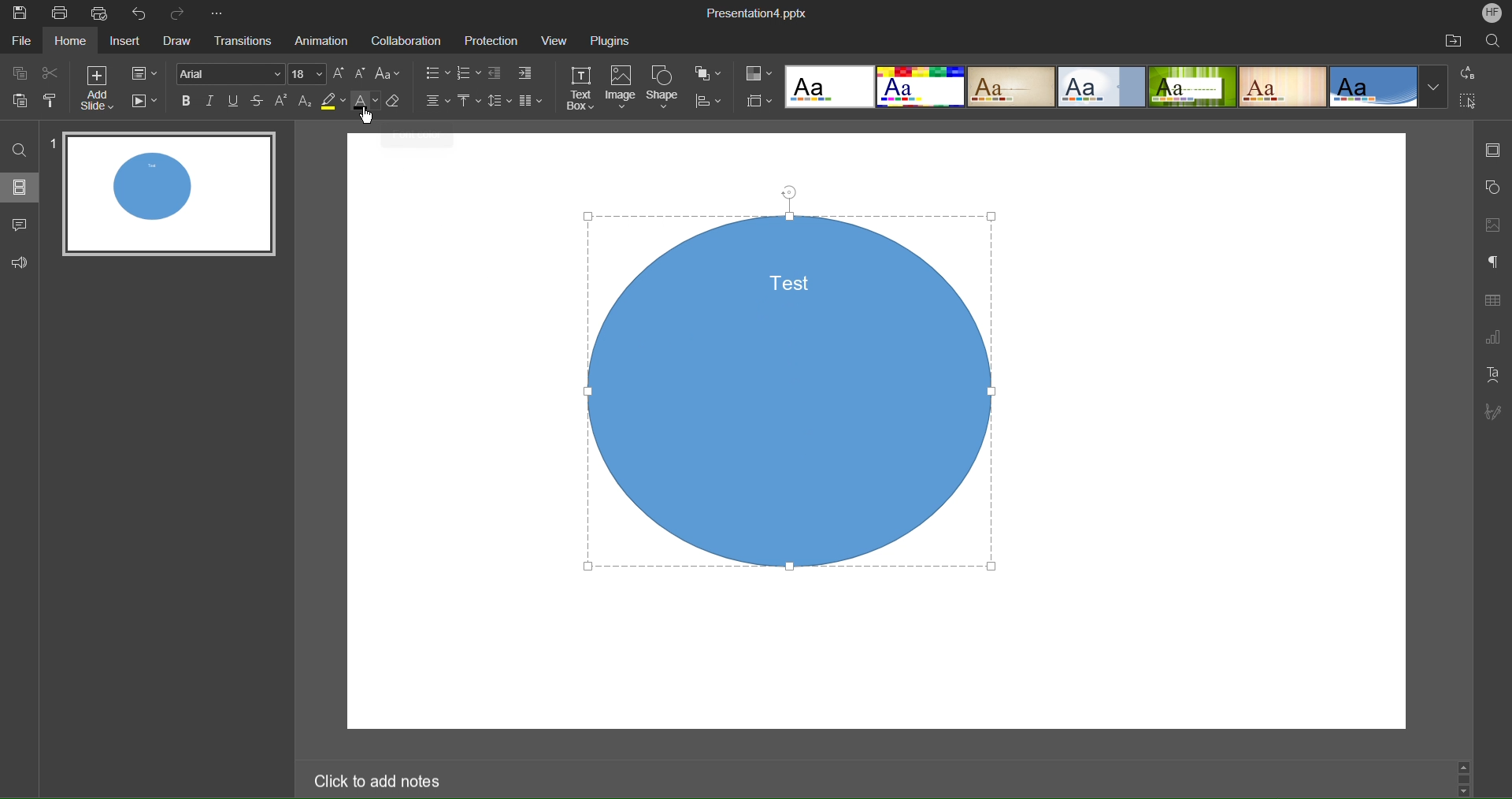  I want to click on Account, so click(1493, 13).